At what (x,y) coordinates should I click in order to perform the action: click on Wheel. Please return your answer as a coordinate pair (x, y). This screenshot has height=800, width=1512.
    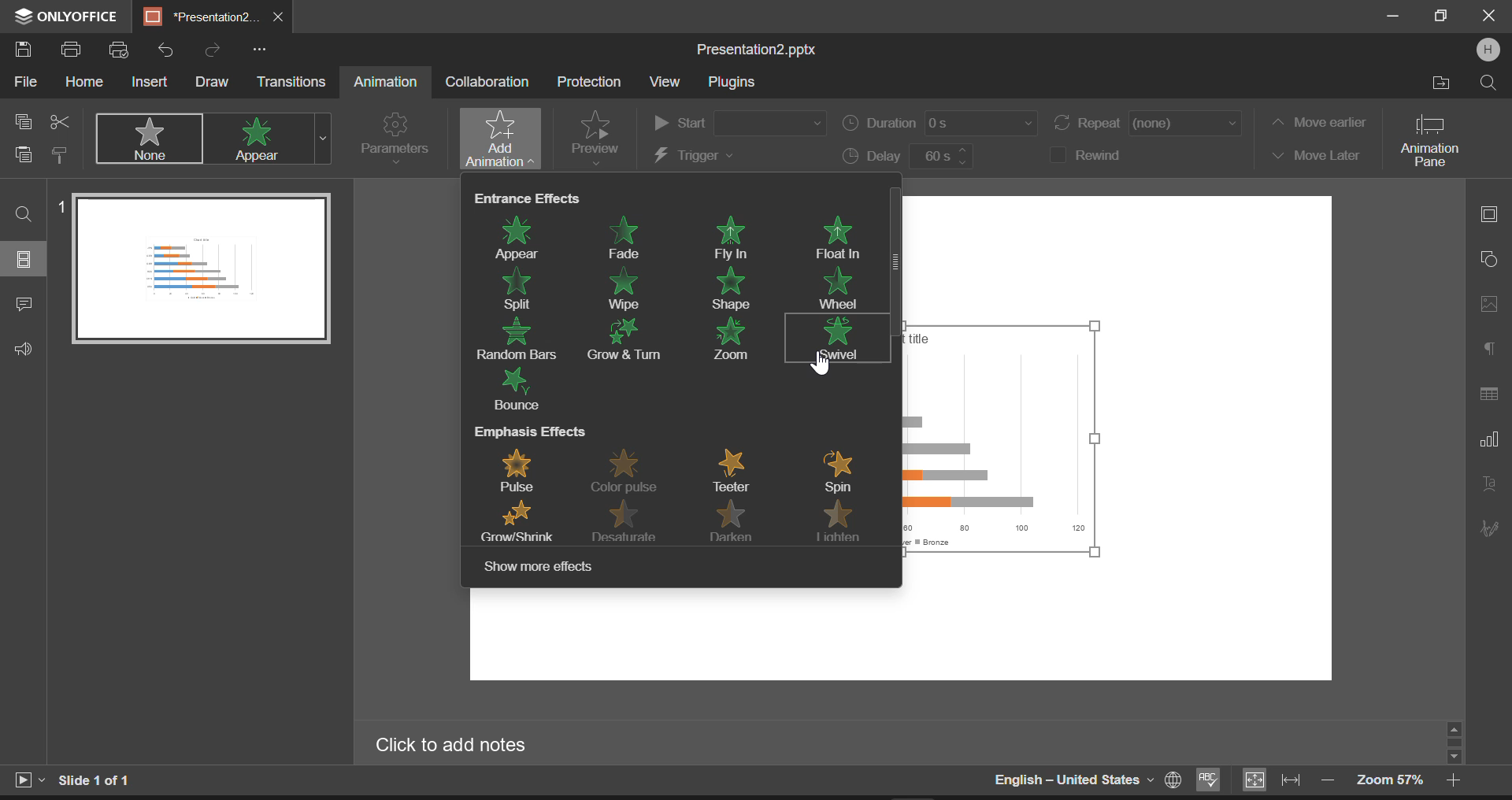
    Looking at the image, I should click on (838, 287).